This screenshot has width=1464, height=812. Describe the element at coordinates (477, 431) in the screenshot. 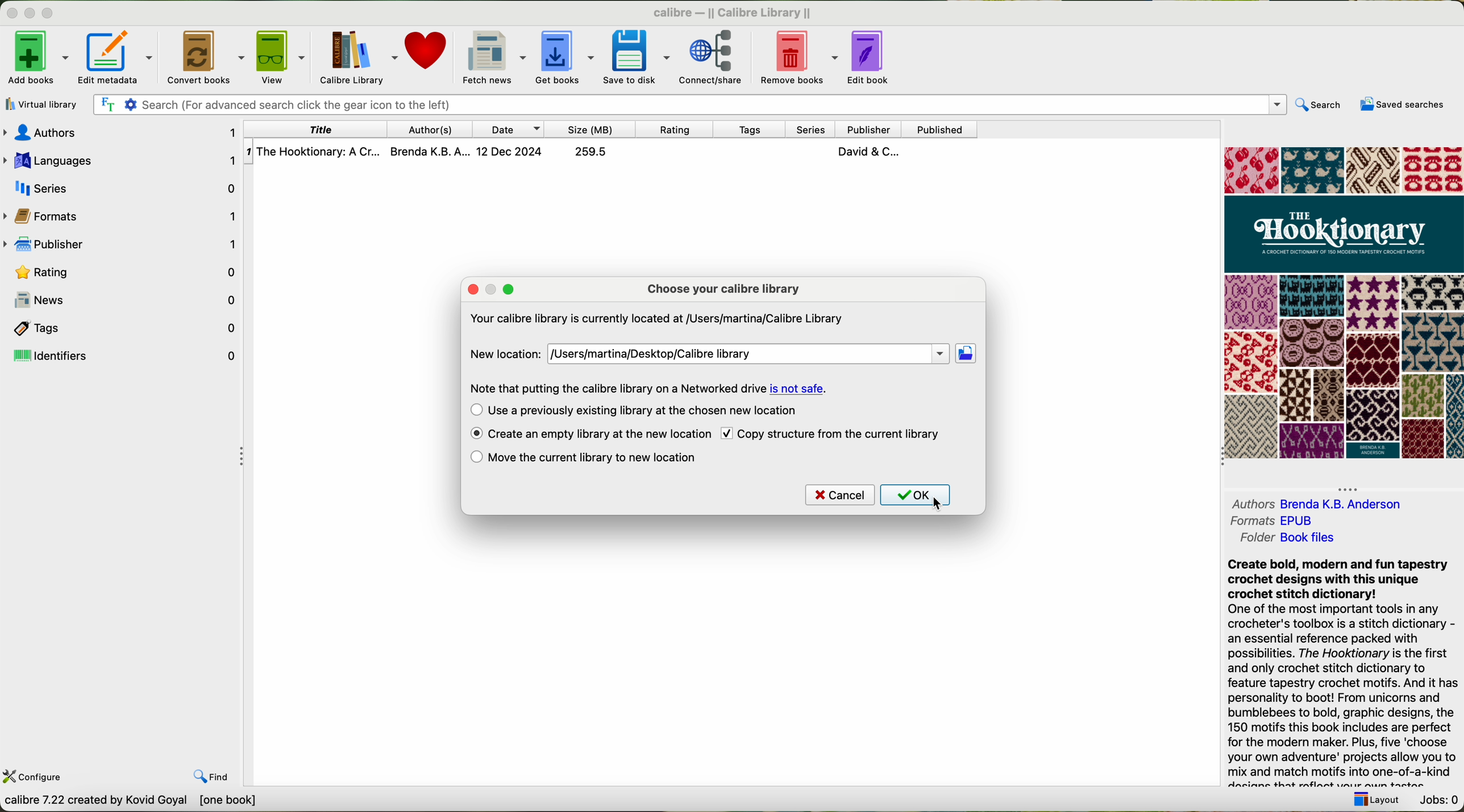

I see `enable` at that location.